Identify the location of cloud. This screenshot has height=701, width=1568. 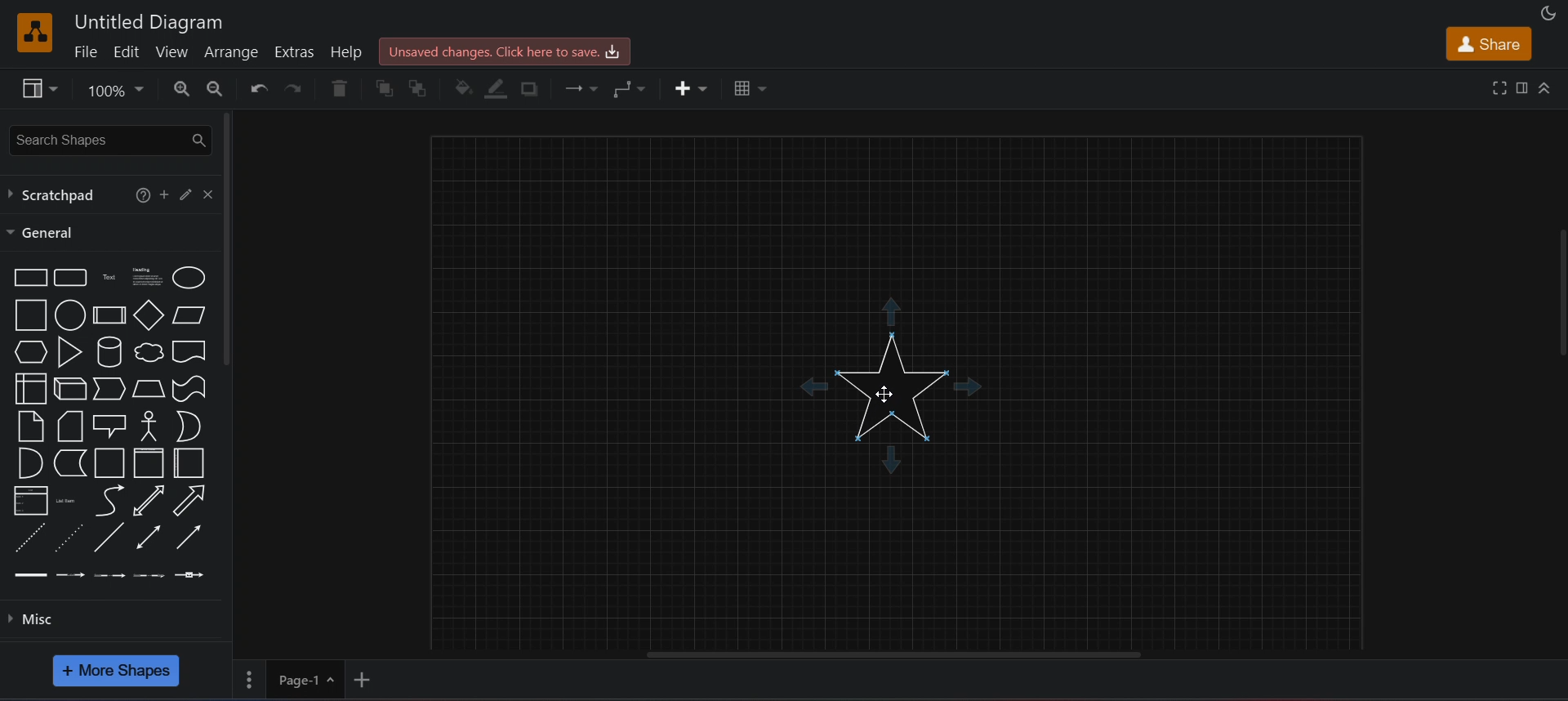
(146, 352).